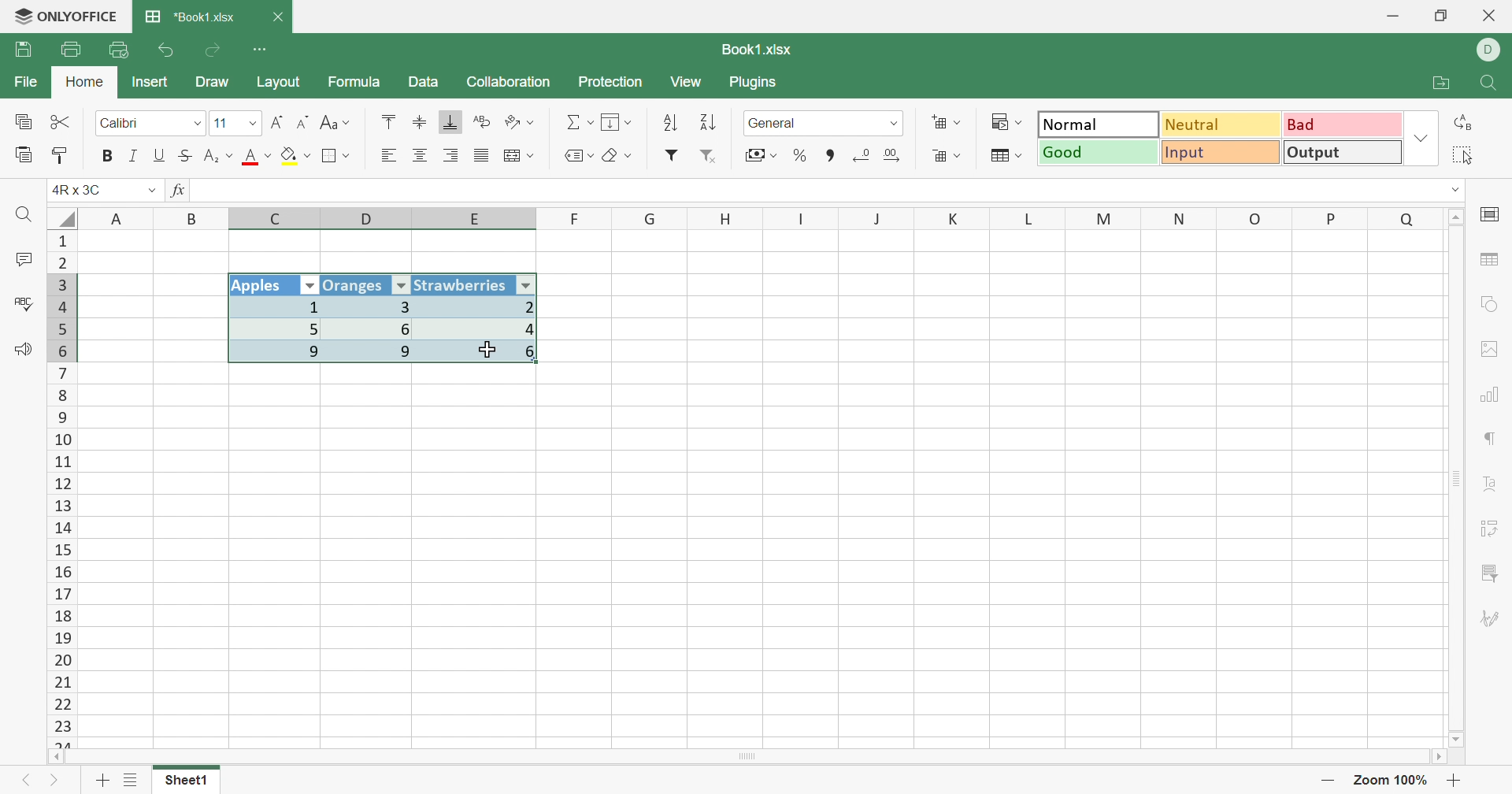 Image resolution: width=1512 pixels, height=794 pixels. Describe the element at coordinates (508, 80) in the screenshot. I see `Collaboration` at that location.